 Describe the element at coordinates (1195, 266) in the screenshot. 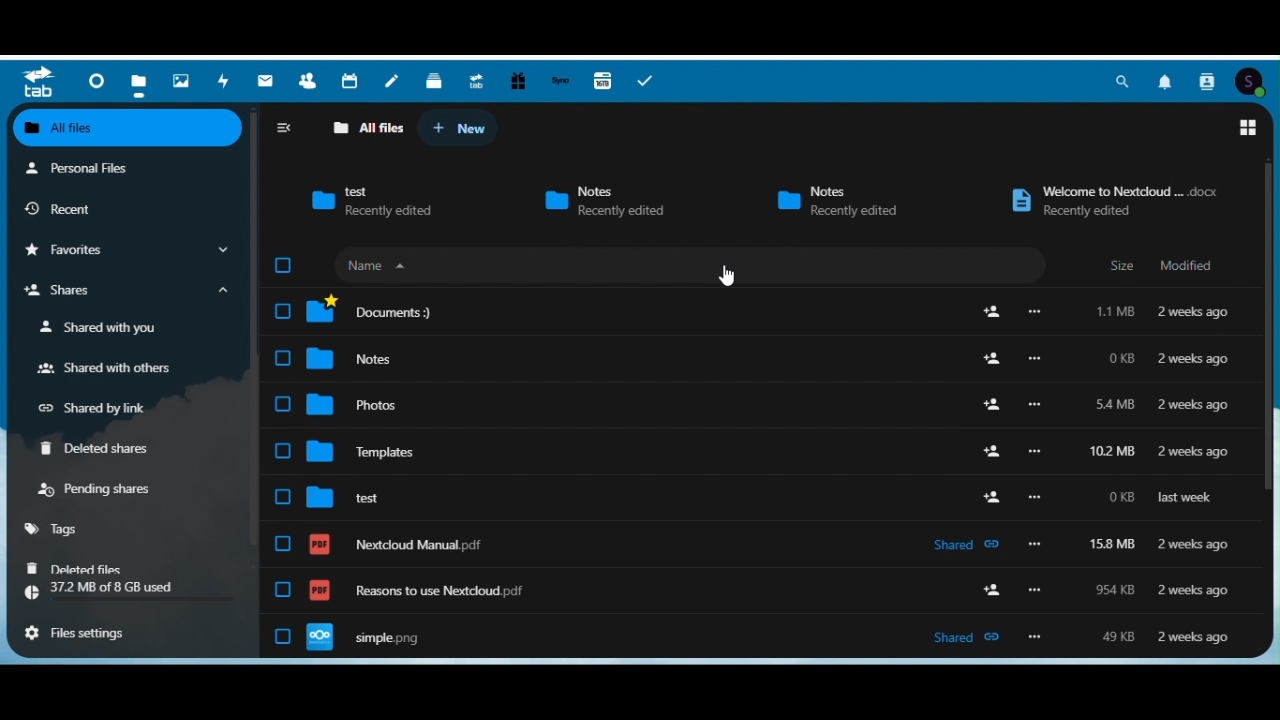

I see `Modified` at that location.